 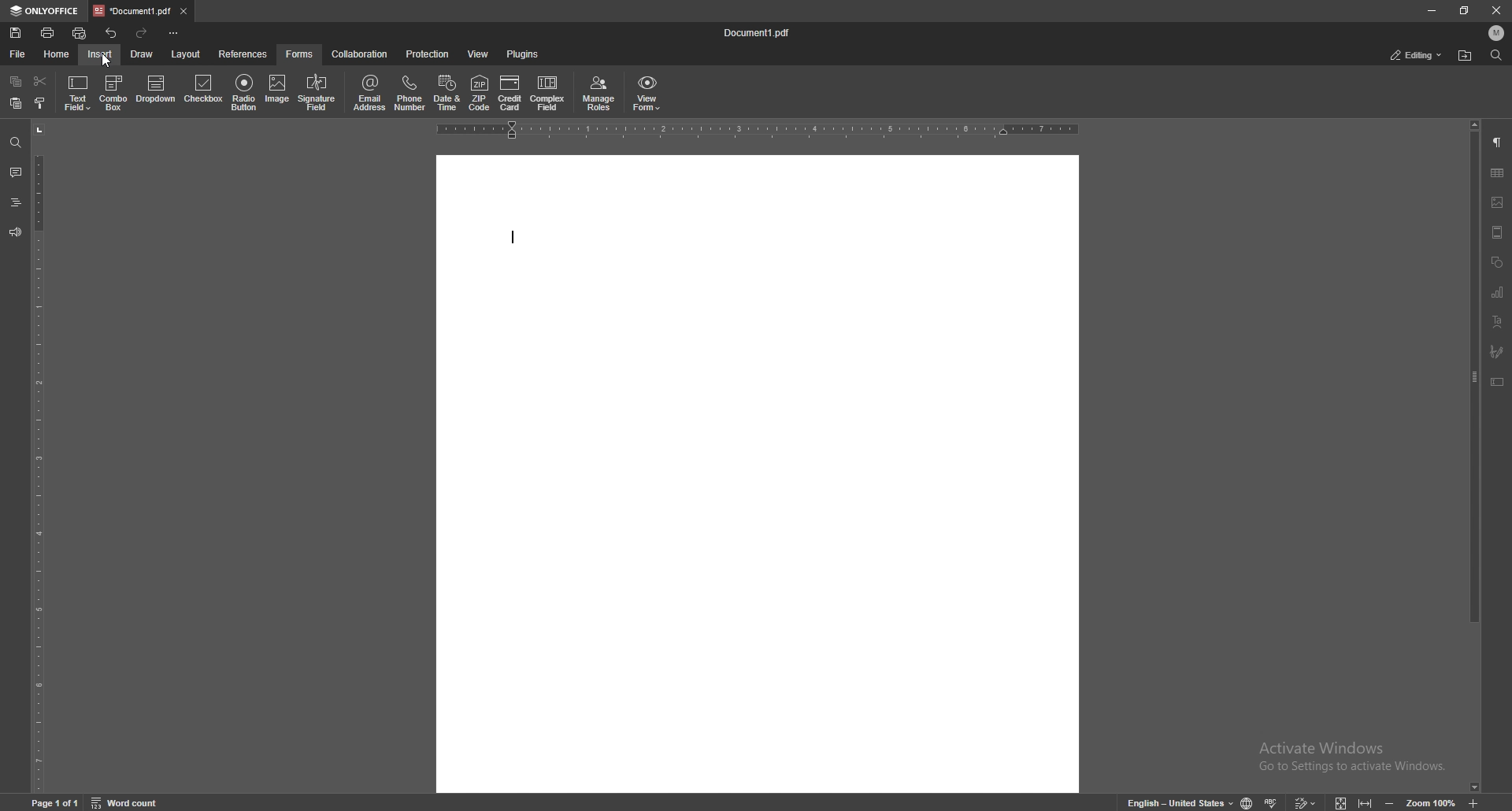 What do you see at coordinates (176, 32) in the screenshot?
I see `options` at bounding box center [176, 32].